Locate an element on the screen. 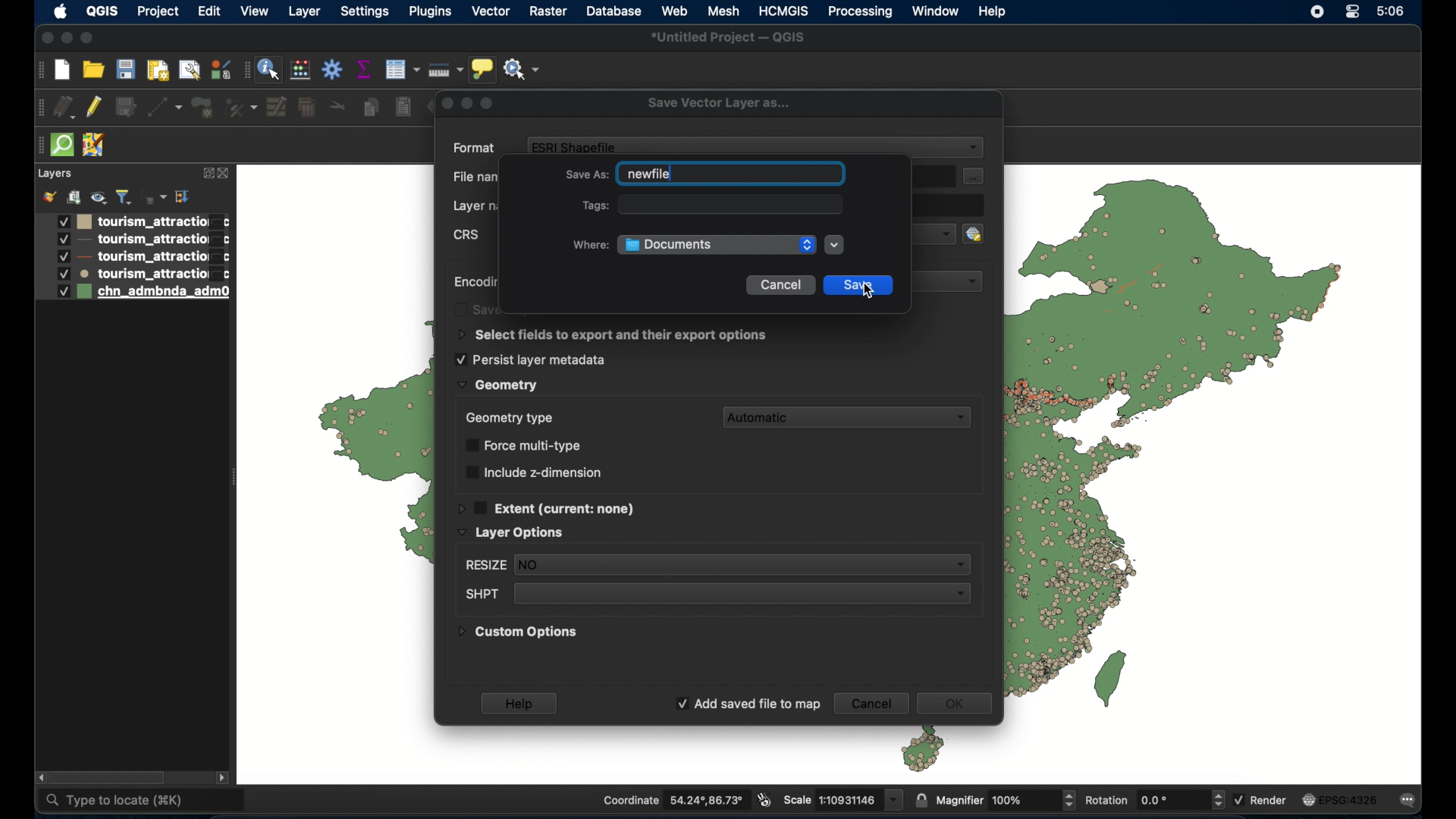 This screenshot has height=819, width=1456. rotation is located at coordinates (1153, 799).